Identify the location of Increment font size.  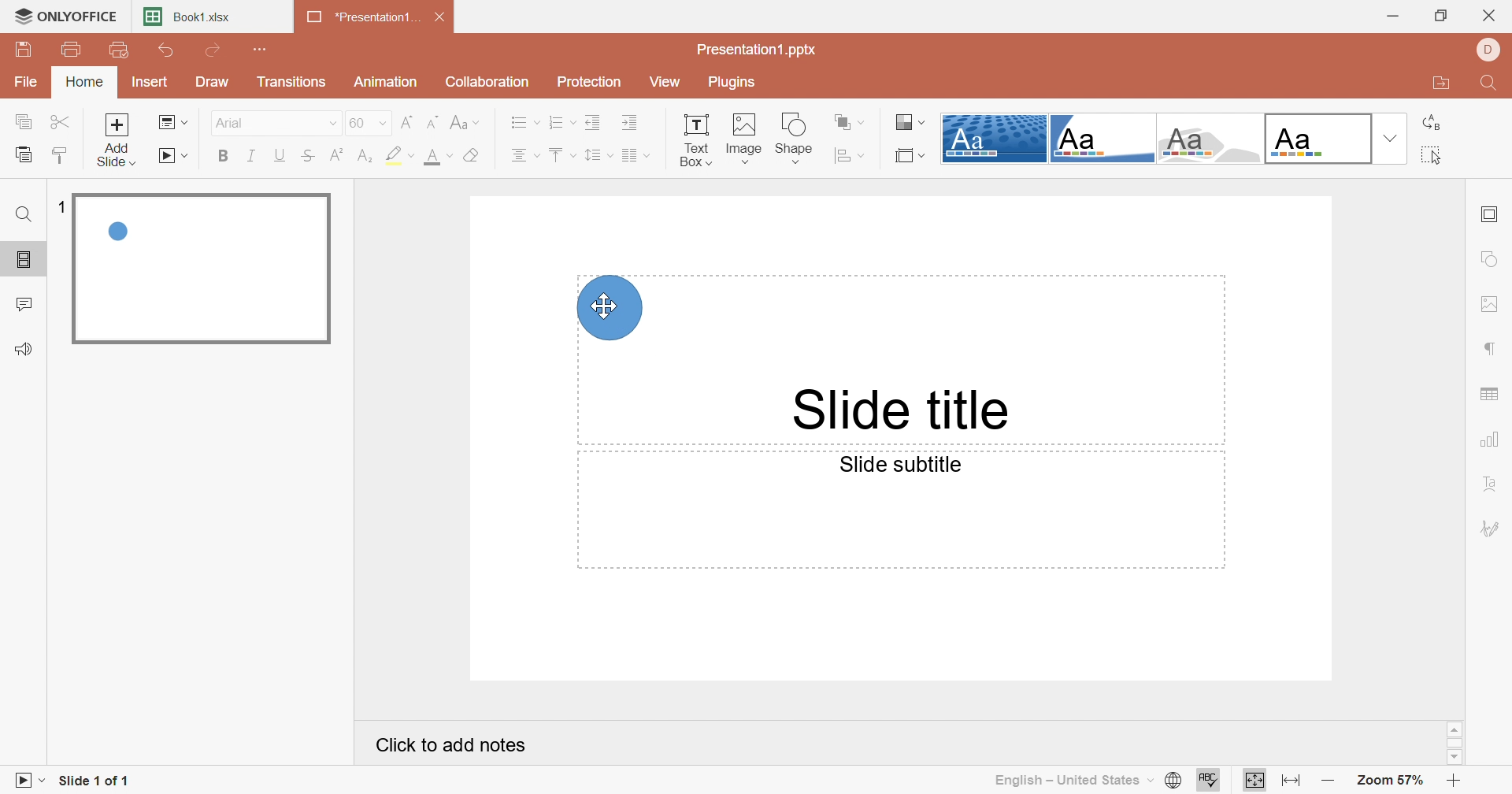
(407, 121).